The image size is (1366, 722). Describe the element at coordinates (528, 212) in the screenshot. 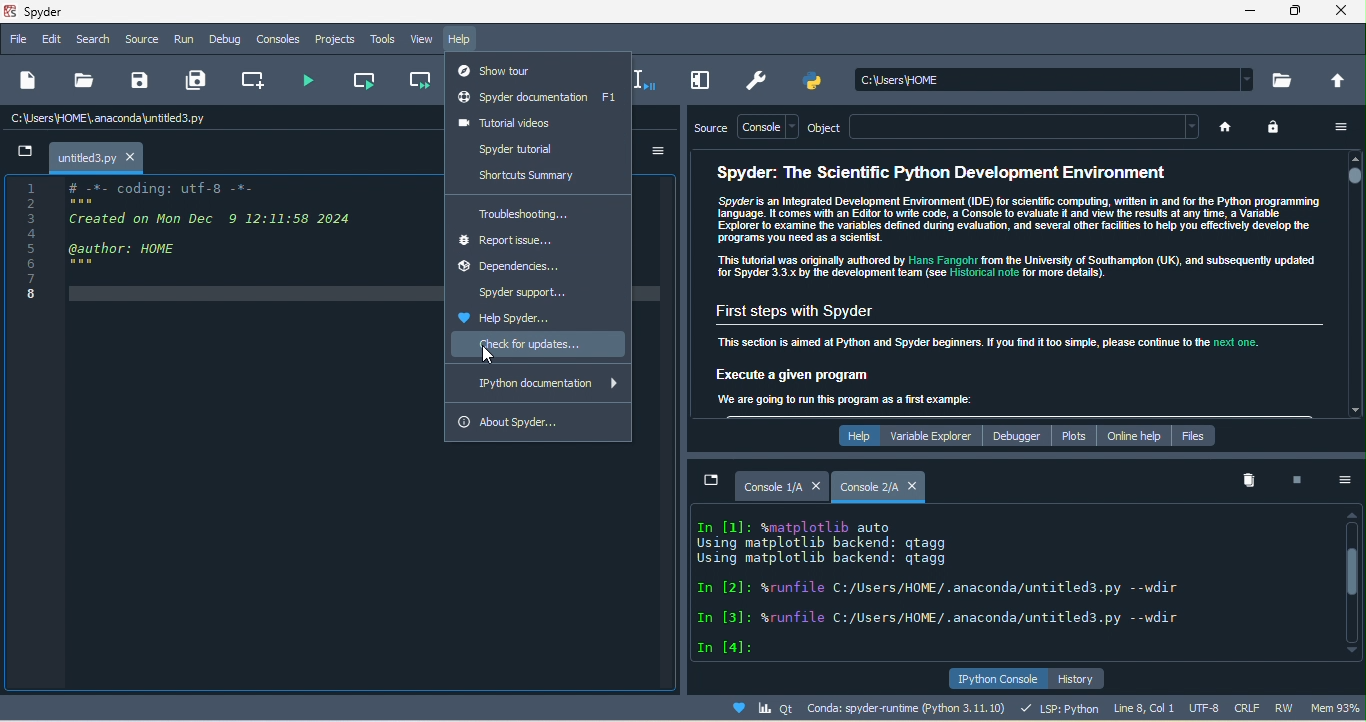

I see `troubleshooting` at that location.